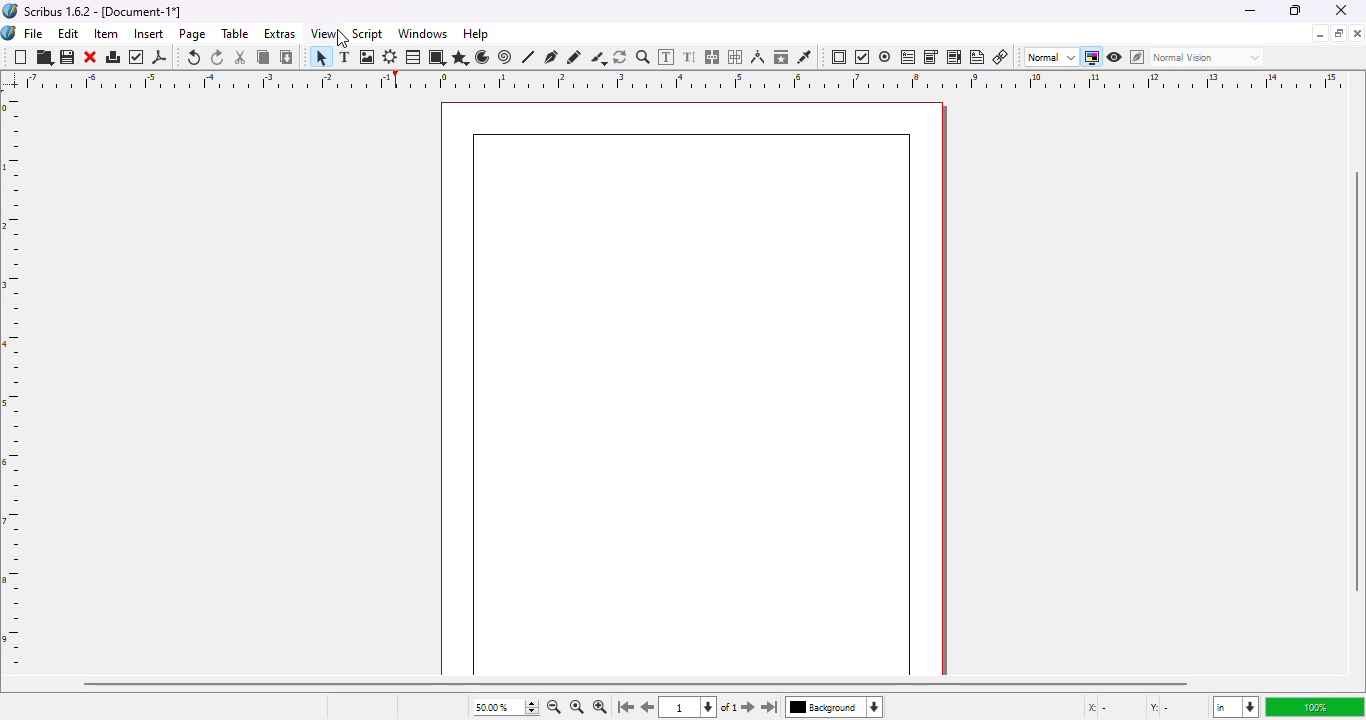 This screenshot has width=1366, height=720. What do you see at coordinates (1234, 708) in the screenshot?
I see `in` at bounding box center [1234, 708].